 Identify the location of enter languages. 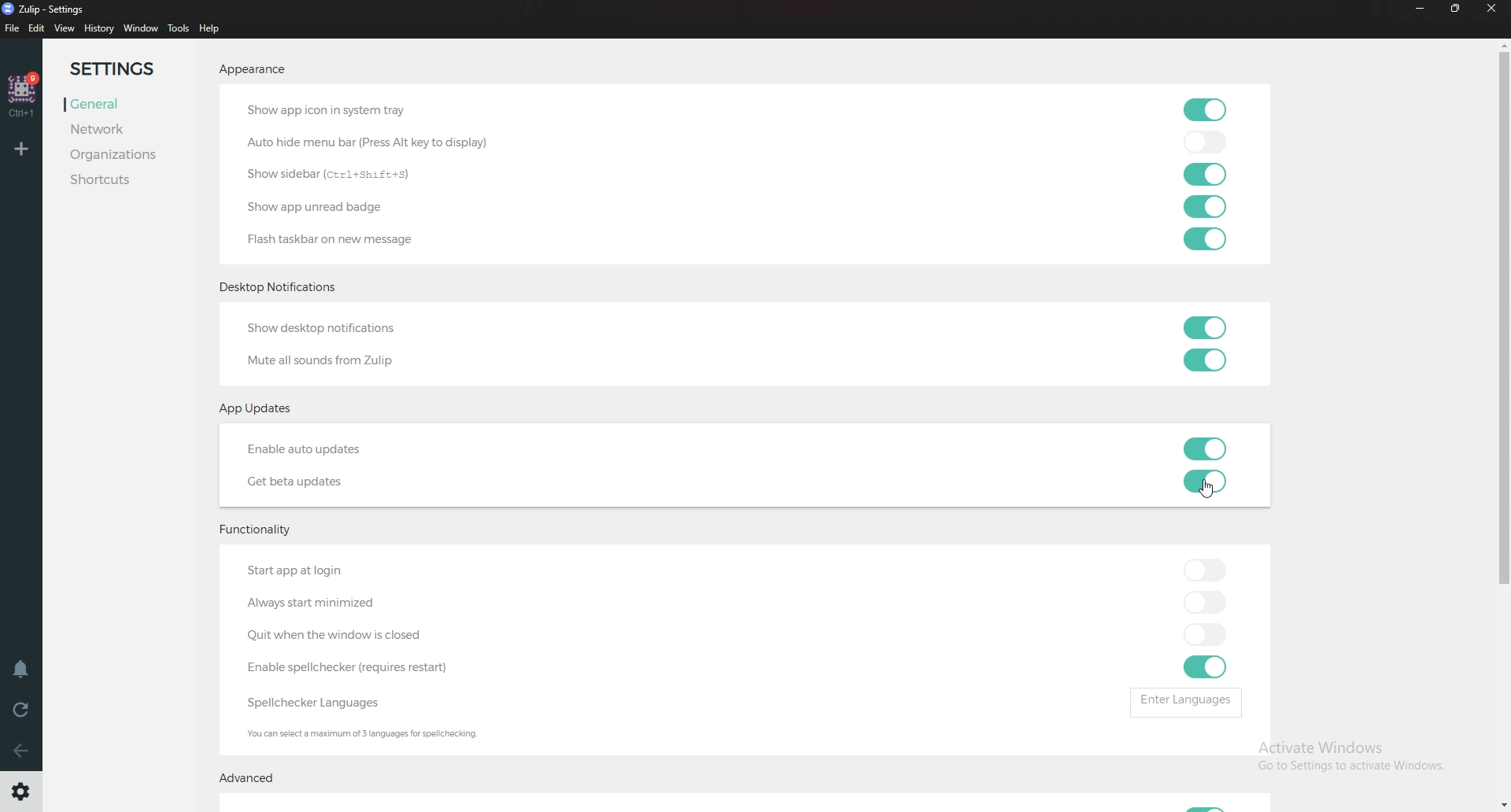
(1188, 701).